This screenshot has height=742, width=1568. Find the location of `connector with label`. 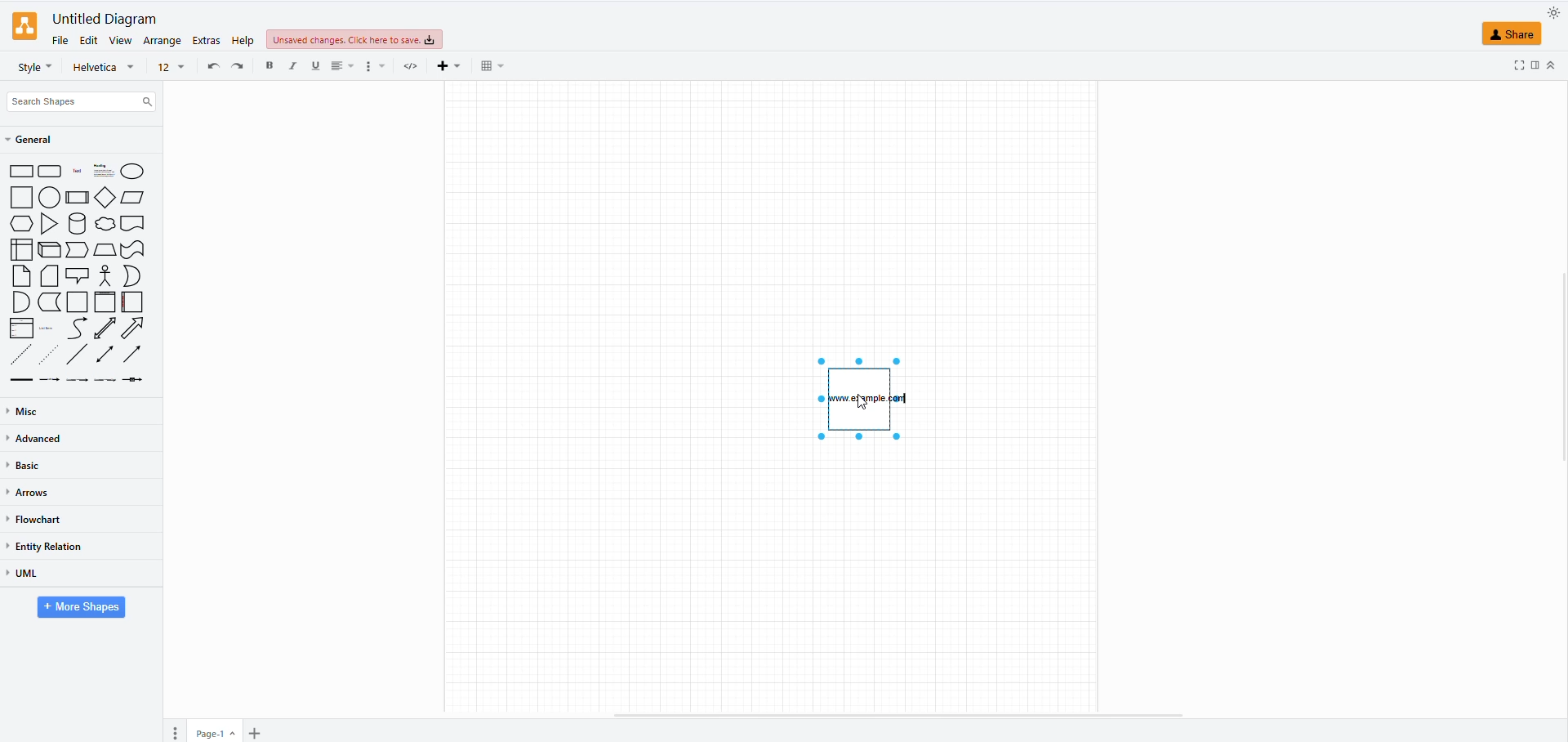

connector with label is located at coordinates (51, 382).